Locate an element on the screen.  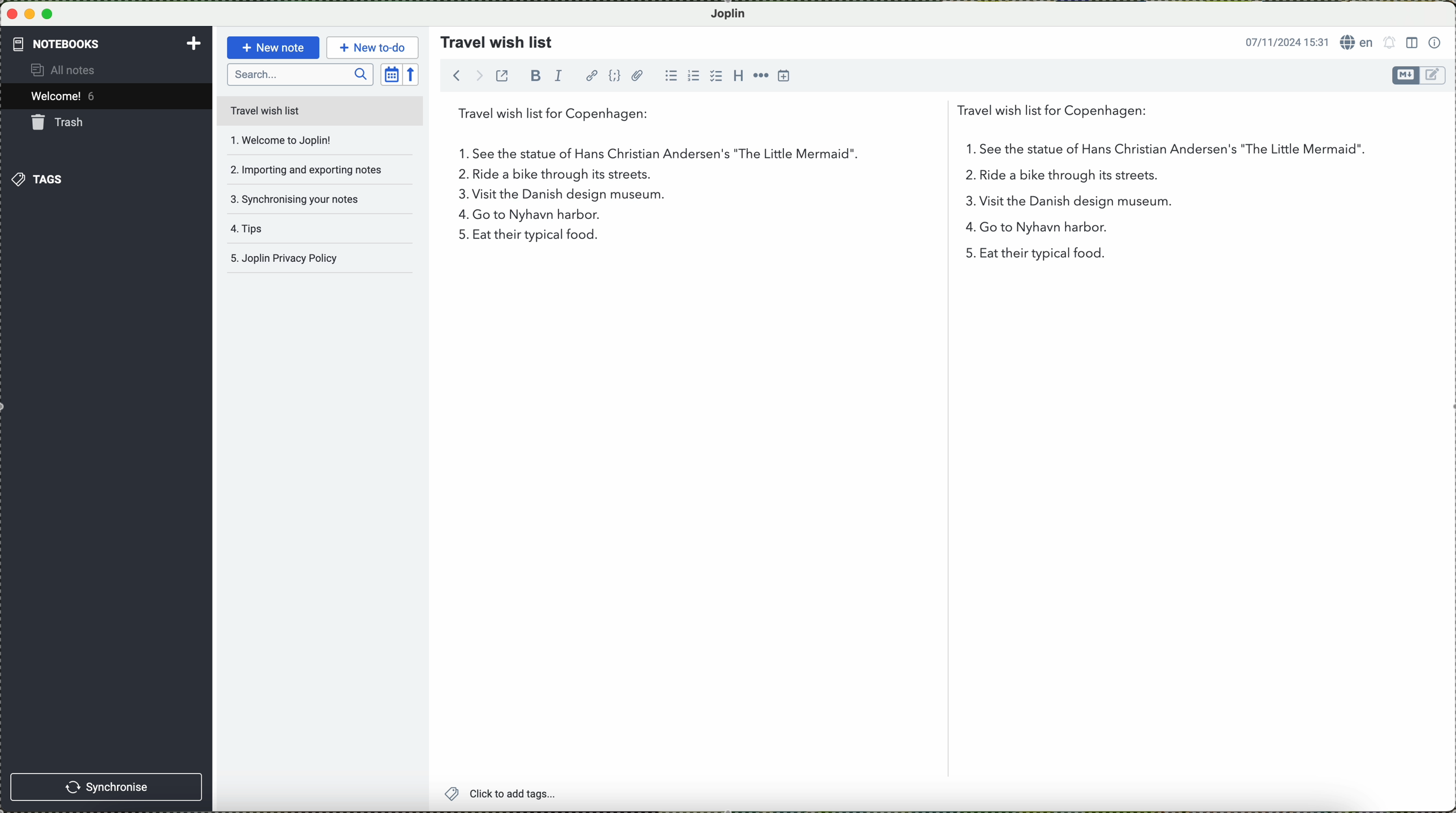
toggle sort order field is located at coordinates (391, 73).